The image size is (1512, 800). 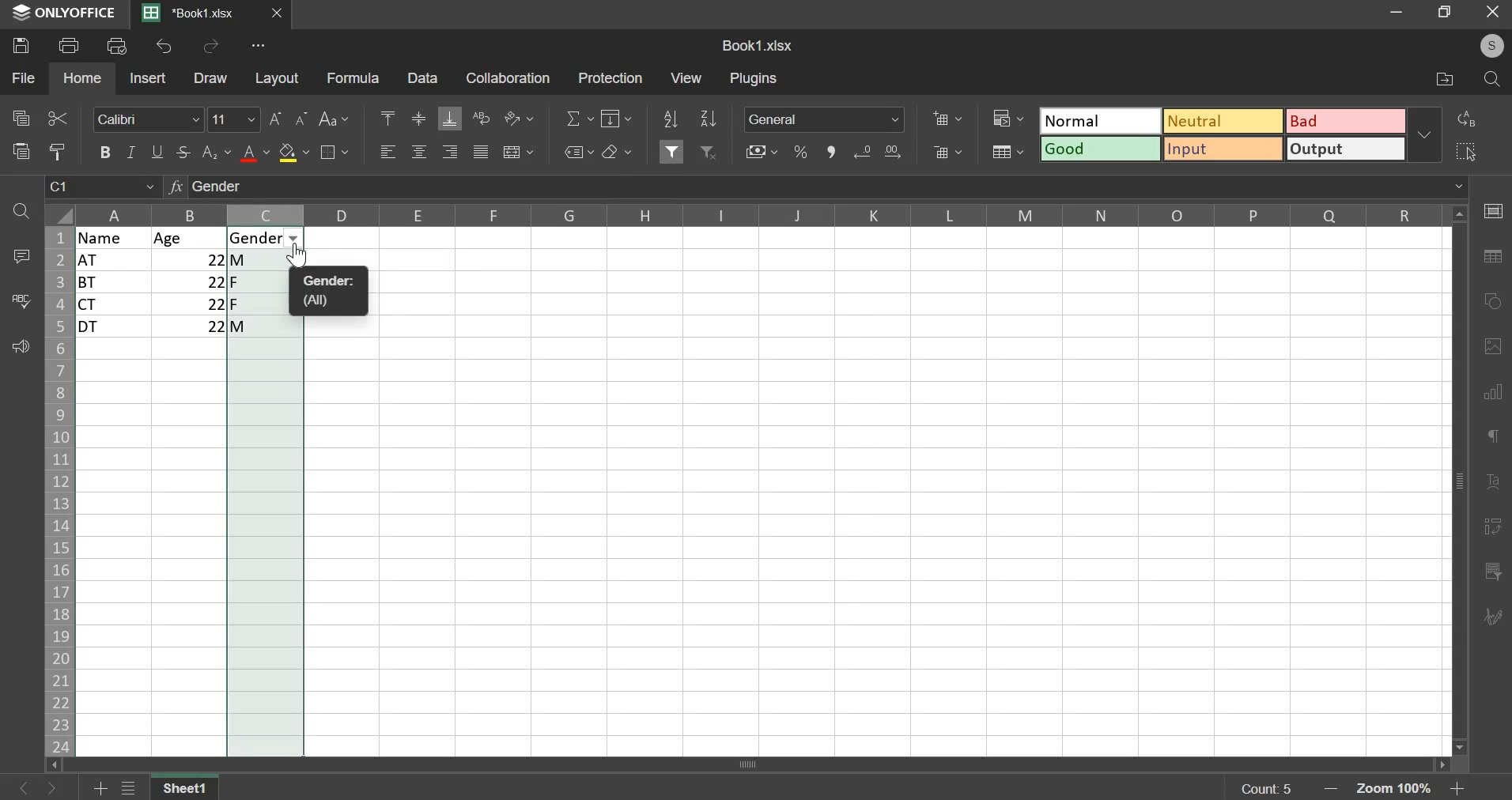 I want to click on zoom kevel, so click(x=1397, y=790).